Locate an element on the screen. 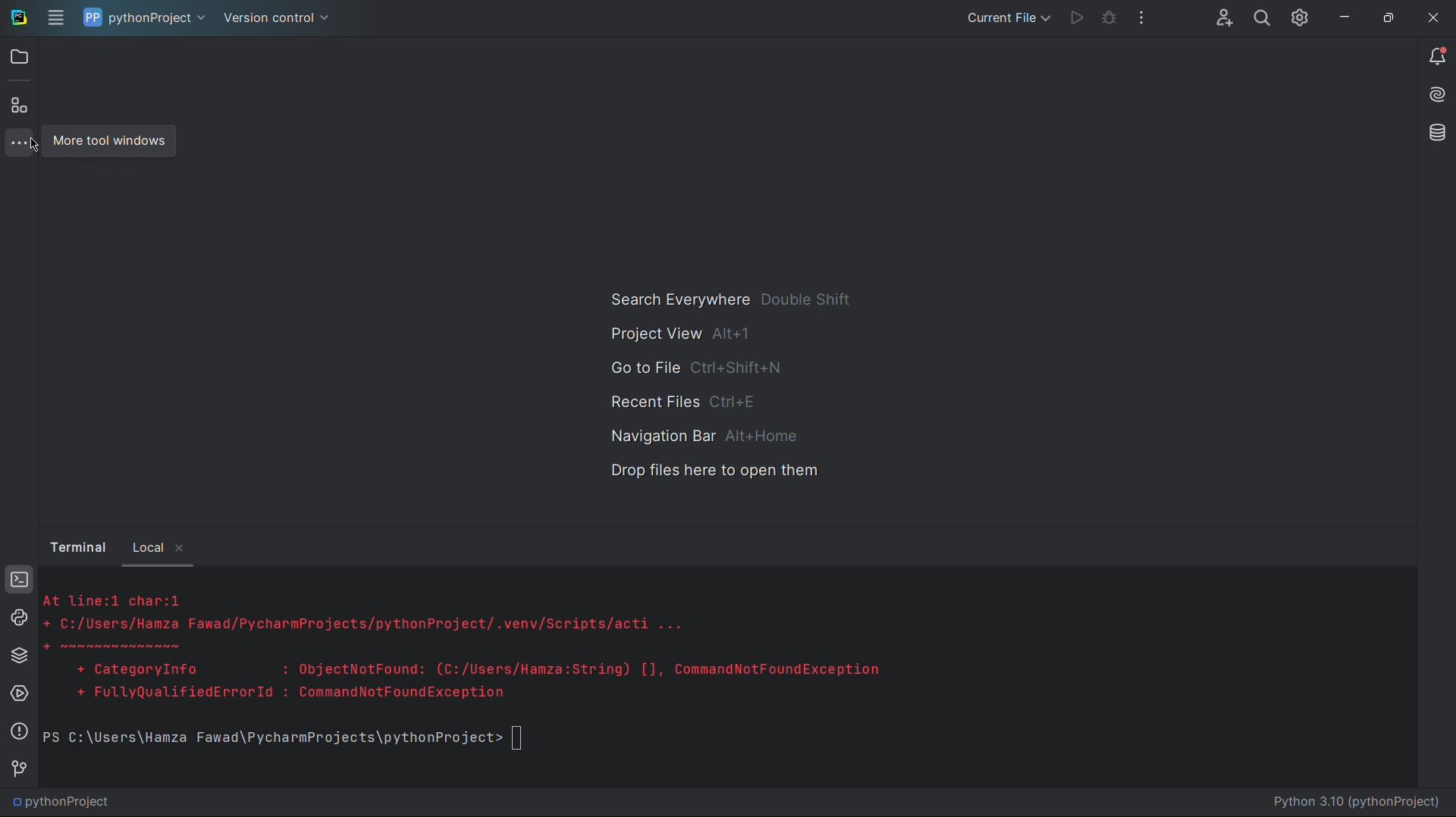 The height and width of the screenshot is (817, 1456). Packages is located at coordinates (18, 655).